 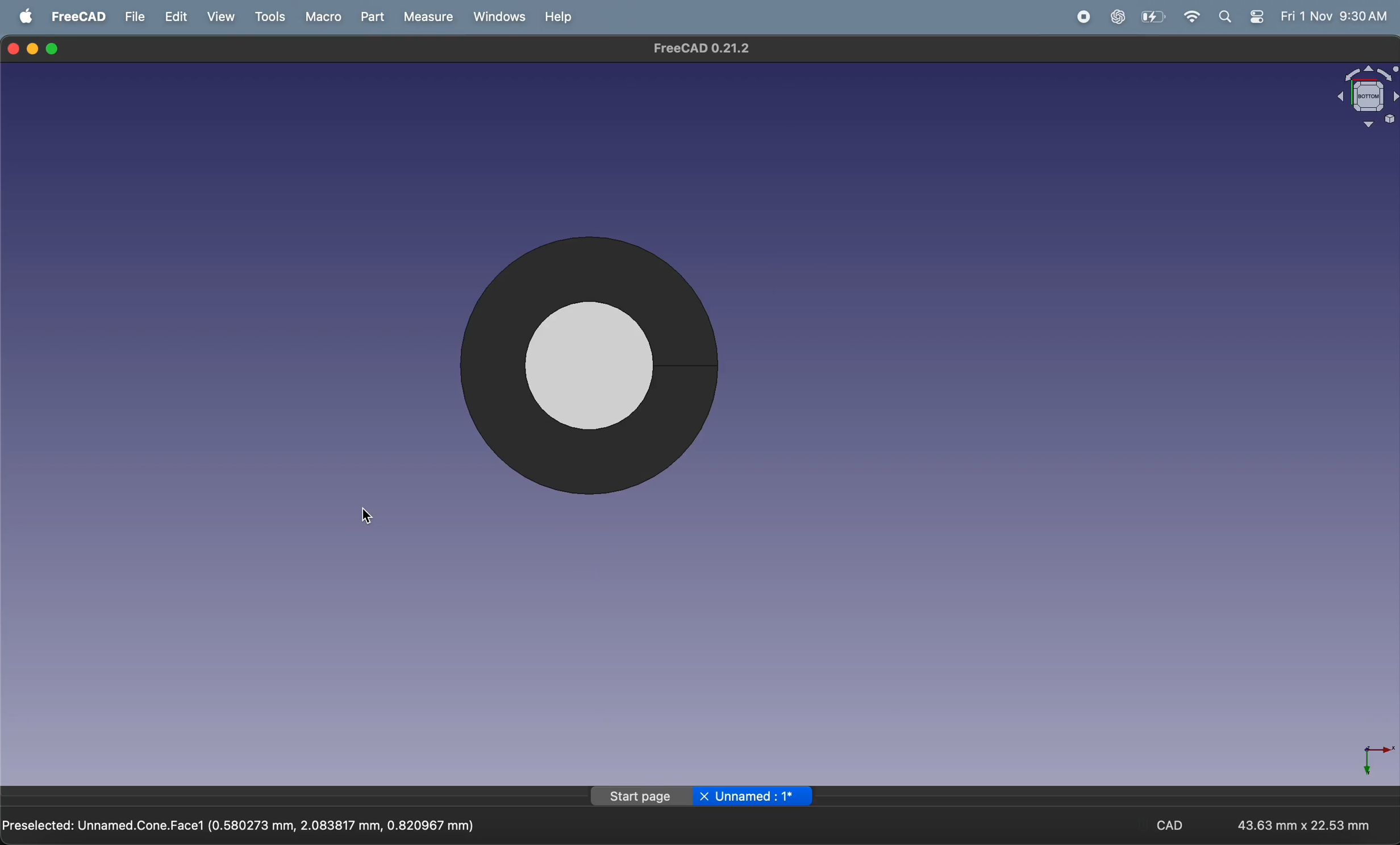 What do you see at coordinates (55, 49) in the screenshot?
I see `maximize` at bounding box center [55, 49].